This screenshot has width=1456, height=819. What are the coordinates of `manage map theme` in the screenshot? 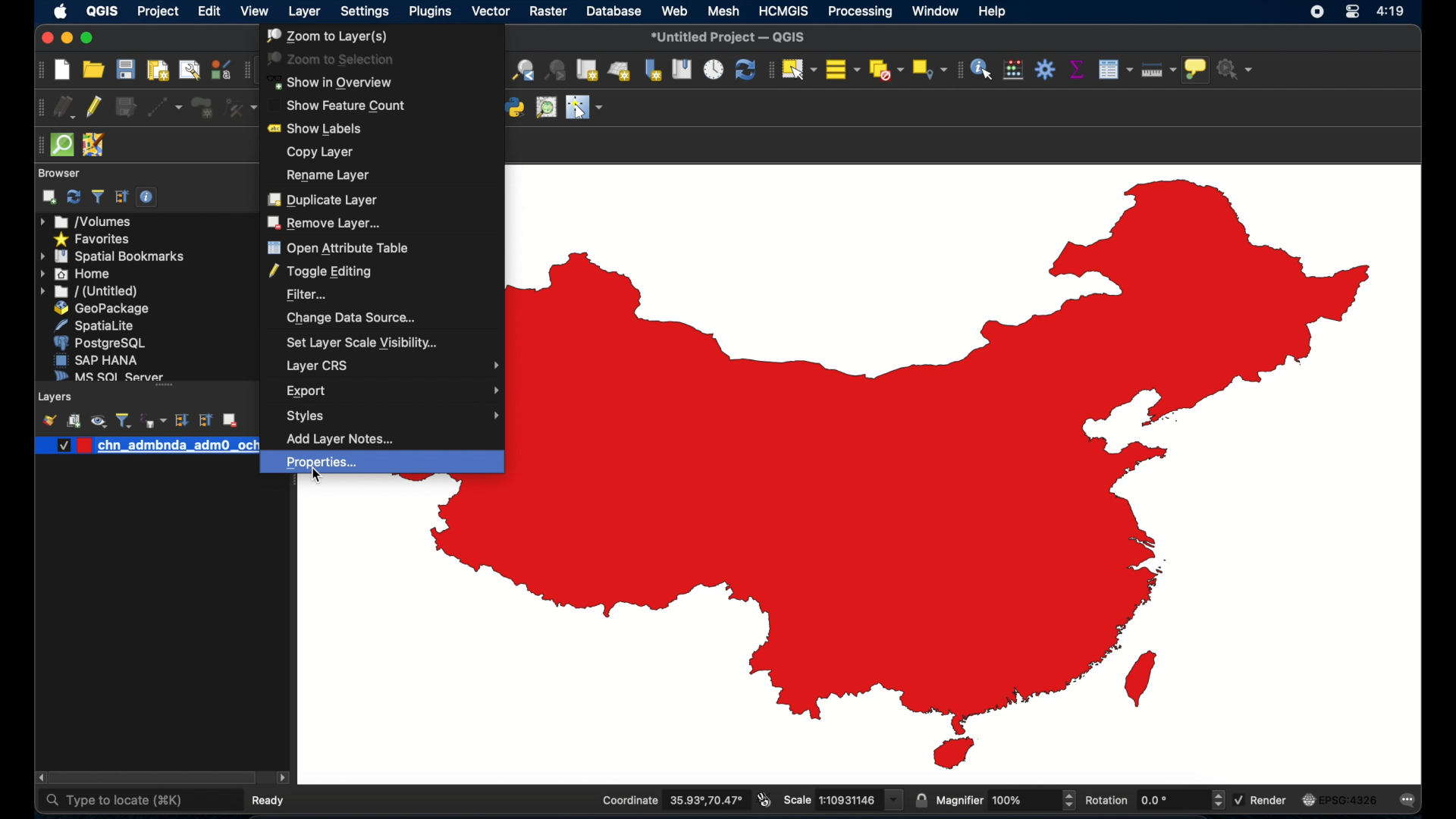 It's located at (98, 421).